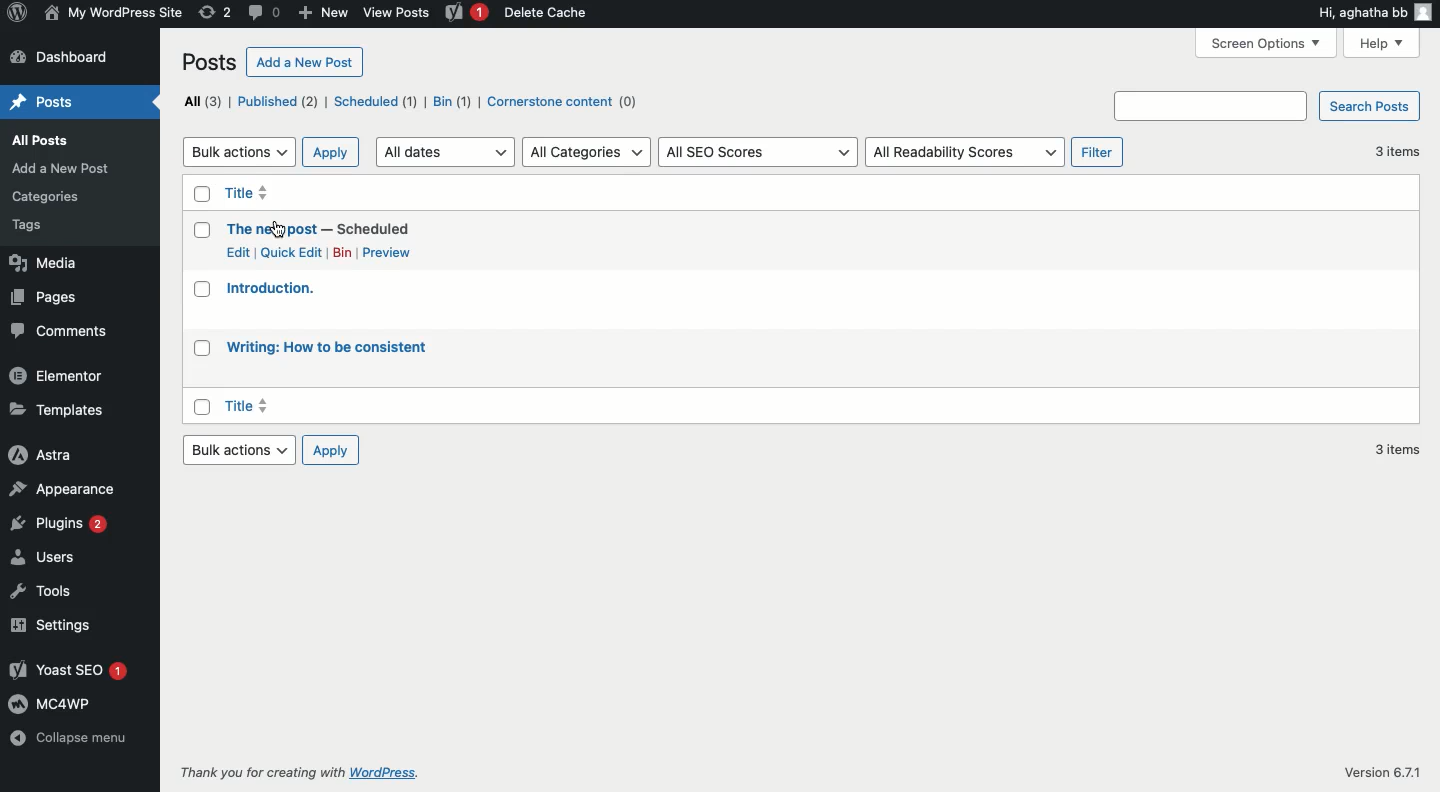 This screenshot has height=792, width=1440. What do you see at coordinates (202, 407) in the screenshot?
I see `checkbox` at bounding box center [202, 407].